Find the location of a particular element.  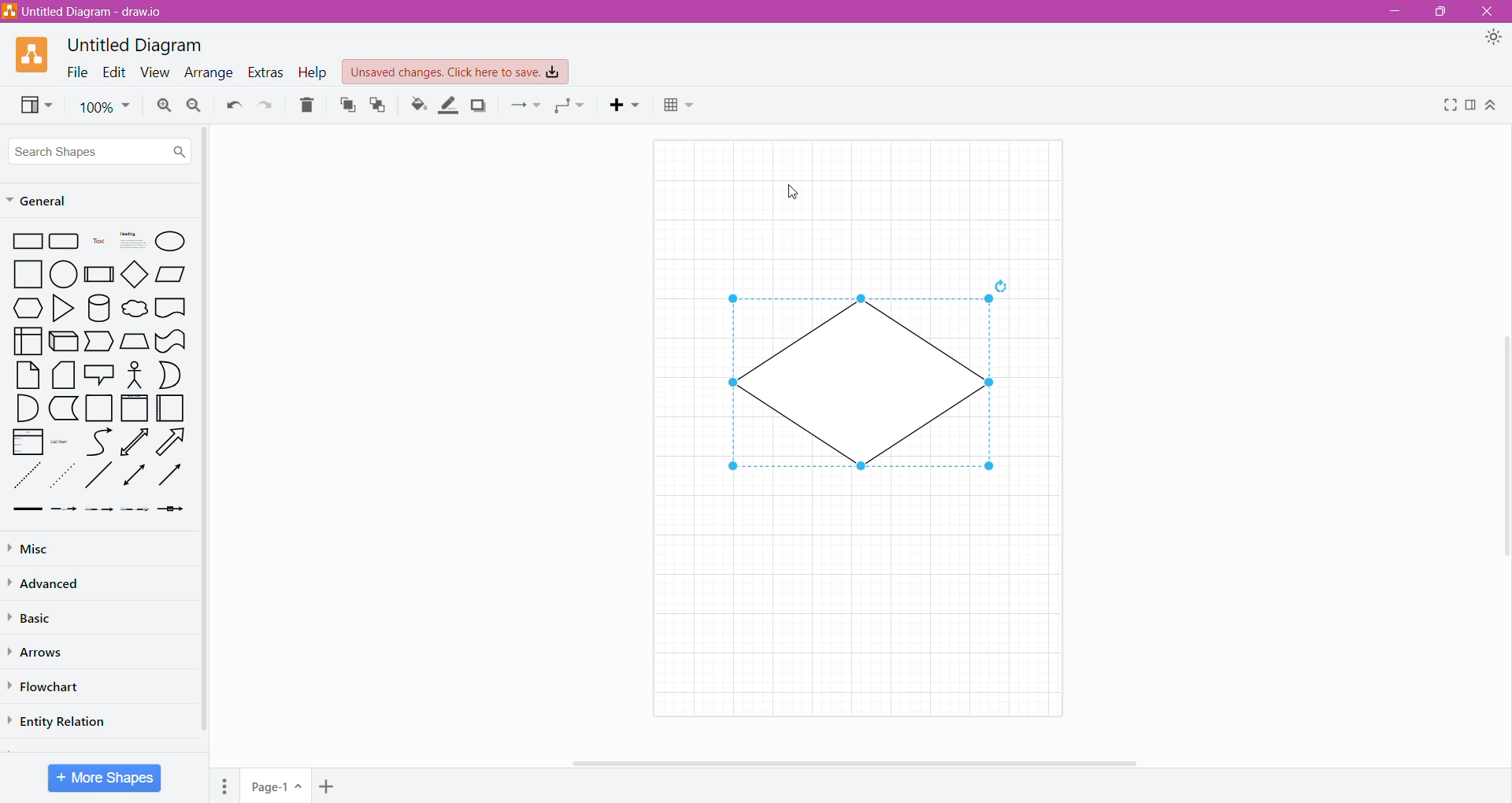

Connector with Icon Symbol is located at coordinates (175, 510).